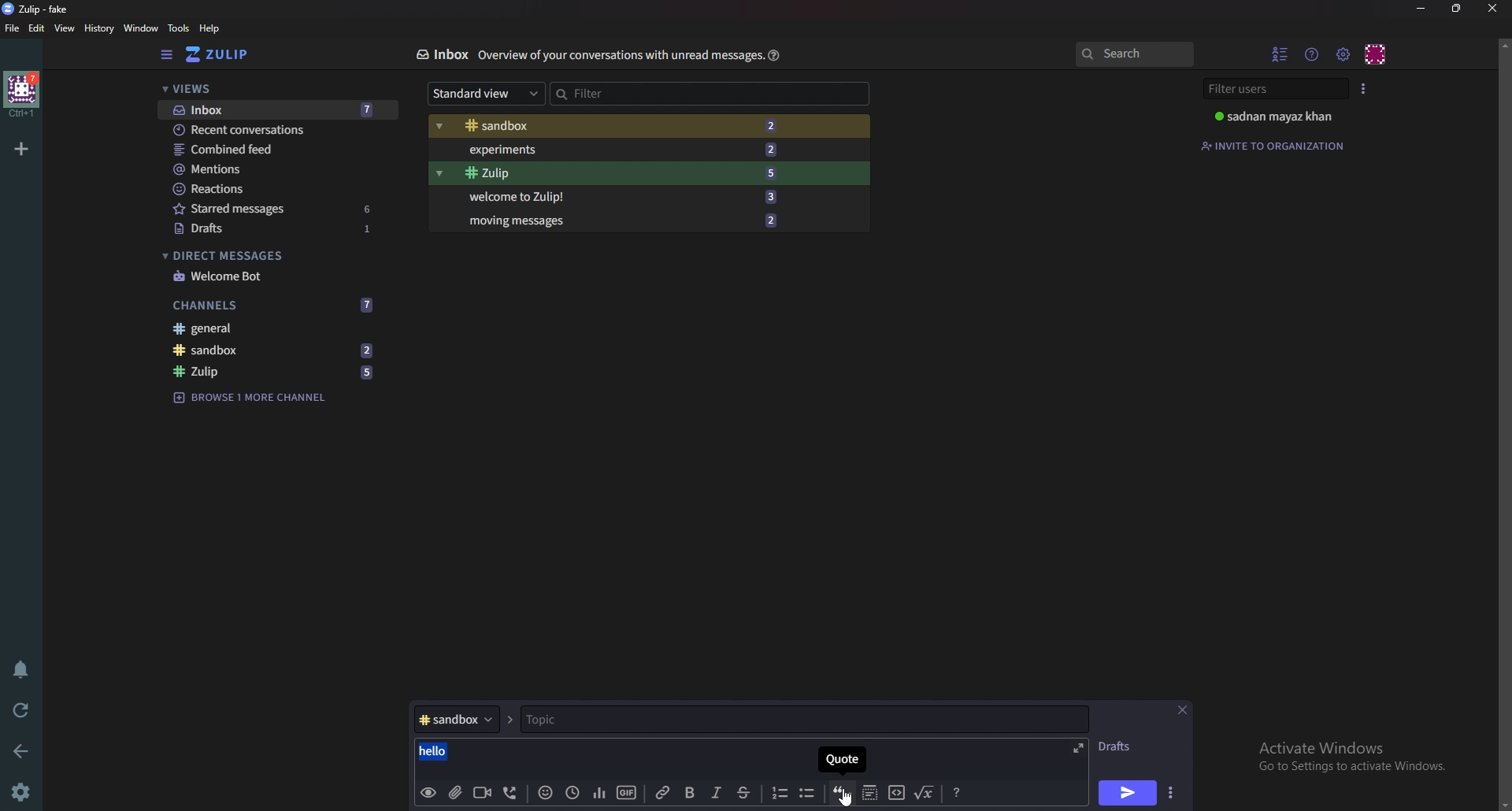  I want to click on Bullet list, so click(807, 794).